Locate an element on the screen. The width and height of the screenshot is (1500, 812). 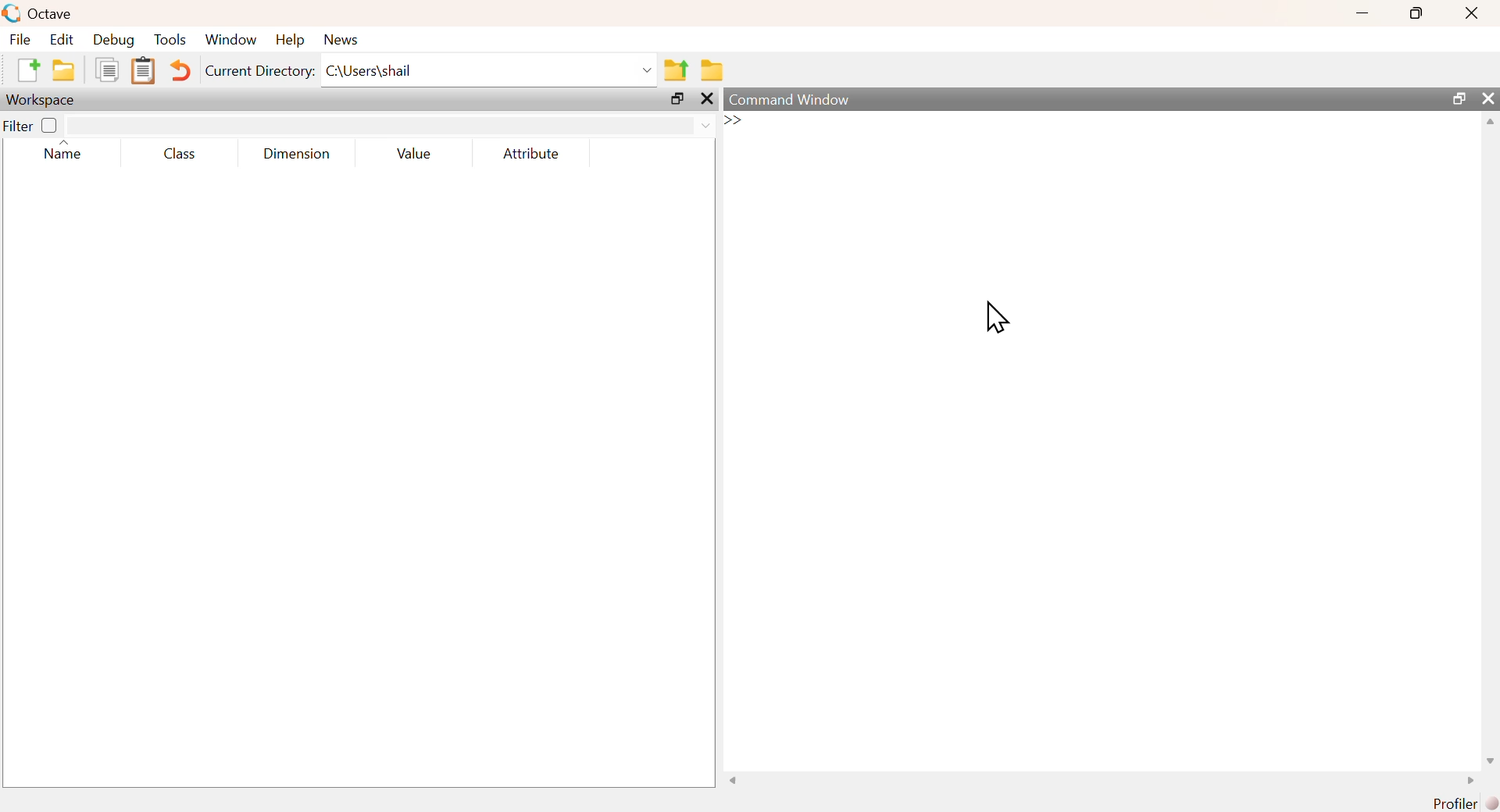
Help is located at coordinates (290, 40).